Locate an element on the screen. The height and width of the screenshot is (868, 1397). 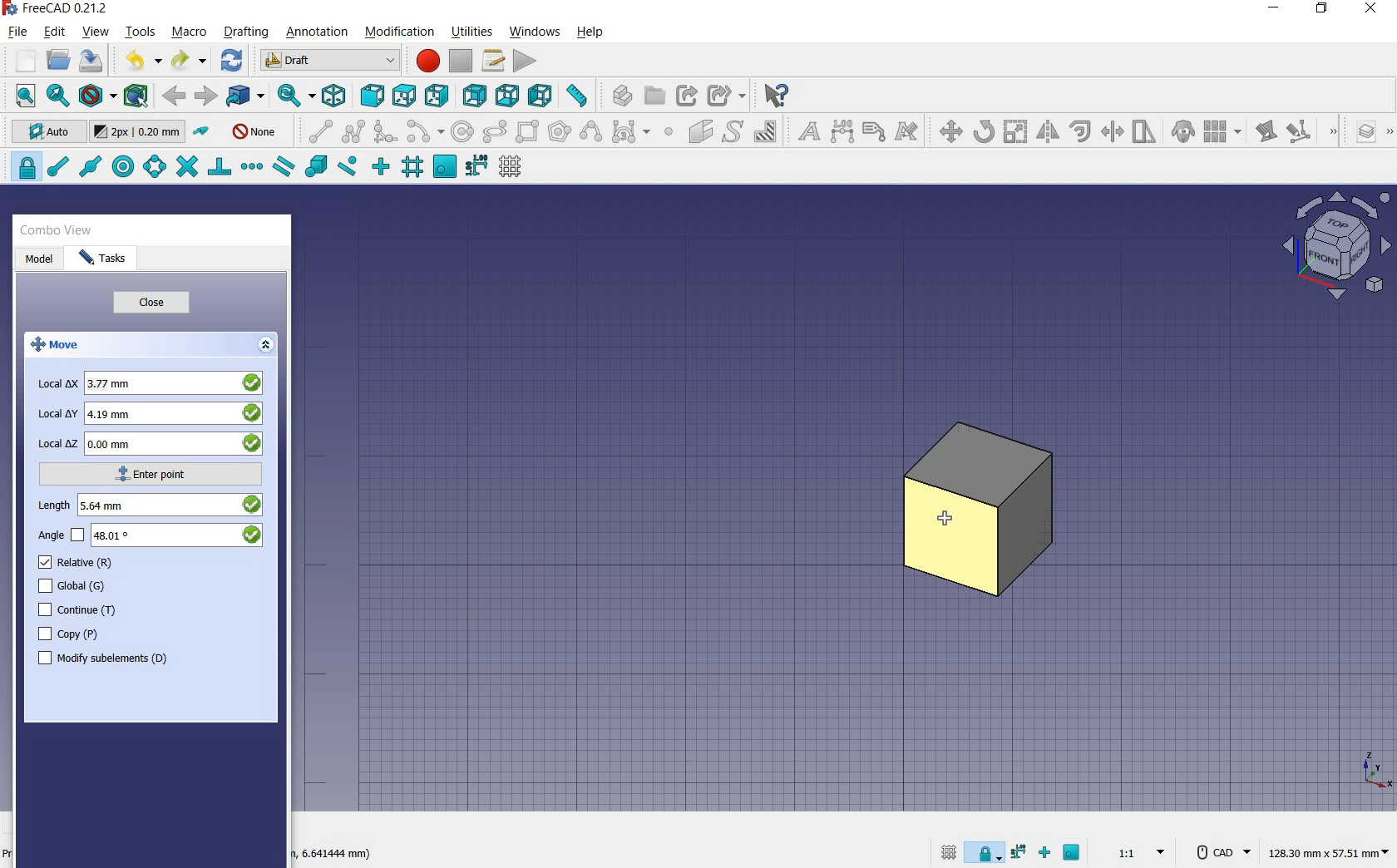
fit all is located at coordinates (20, 96).